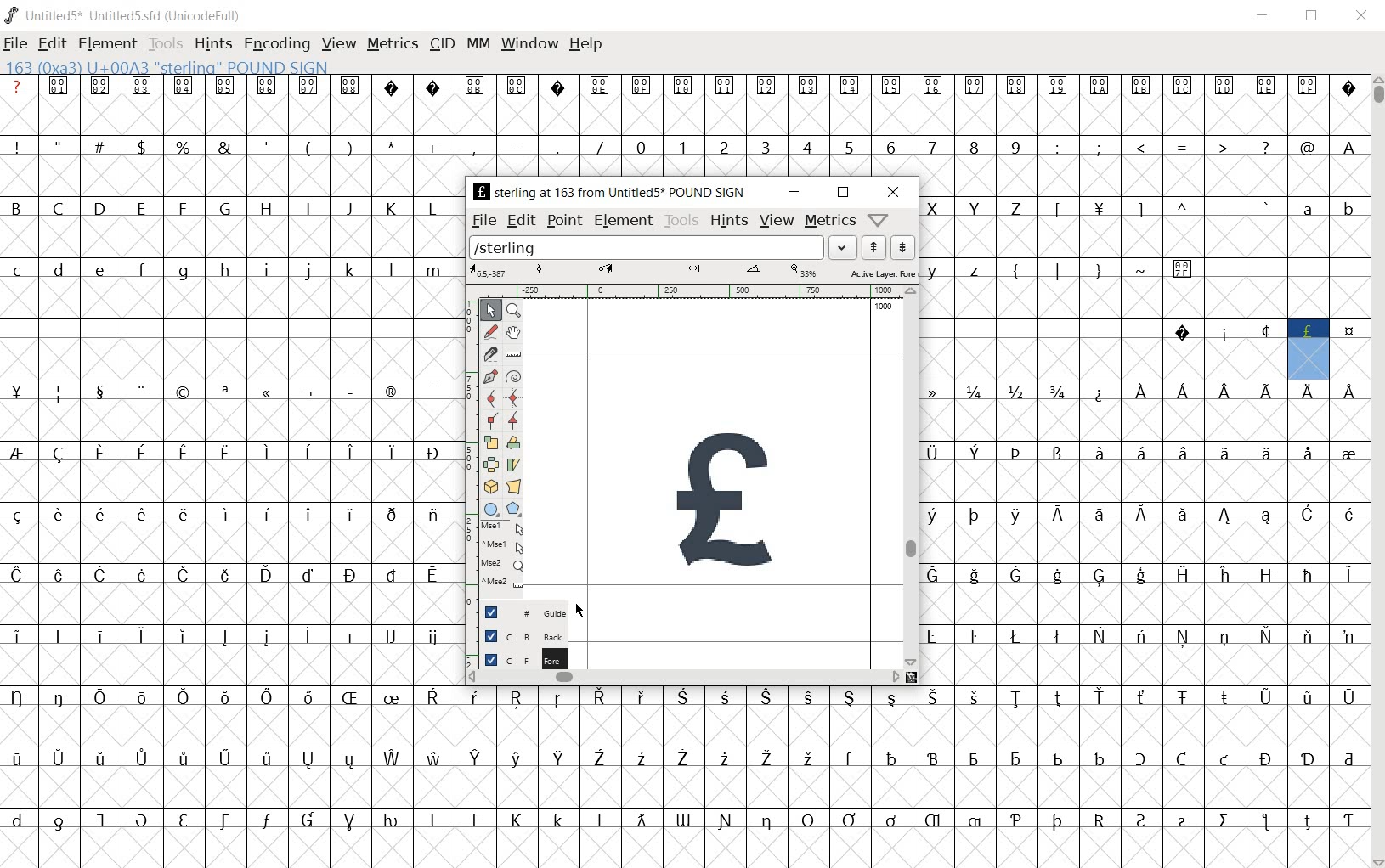 This screenshot has height=868, width=1385. I want to click on `, so click(1264, 208).